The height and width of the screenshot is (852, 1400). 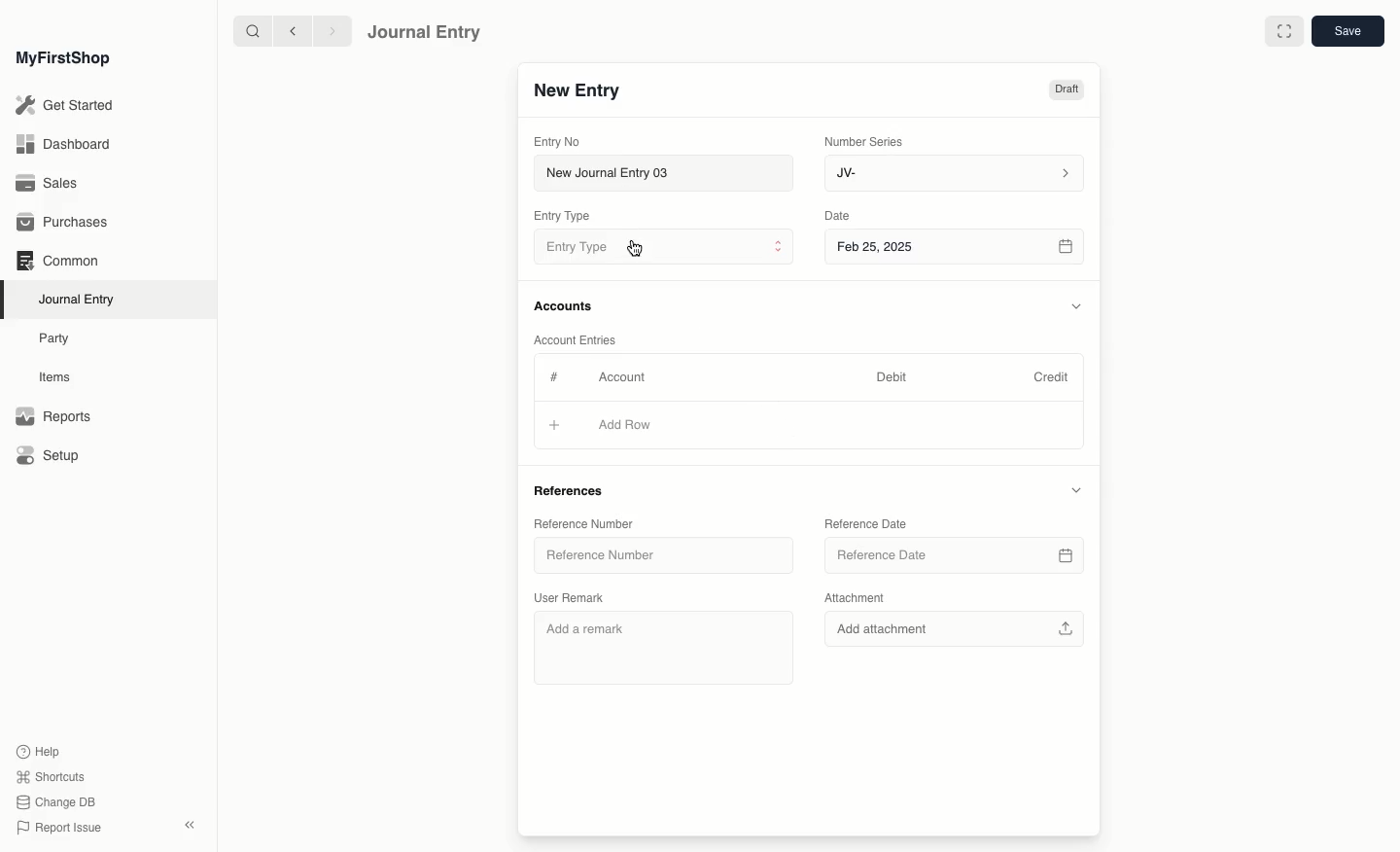 What do you see at coordinates (55, 337) in the screenshot?
I see `Party` at bounding box center [55, 337].